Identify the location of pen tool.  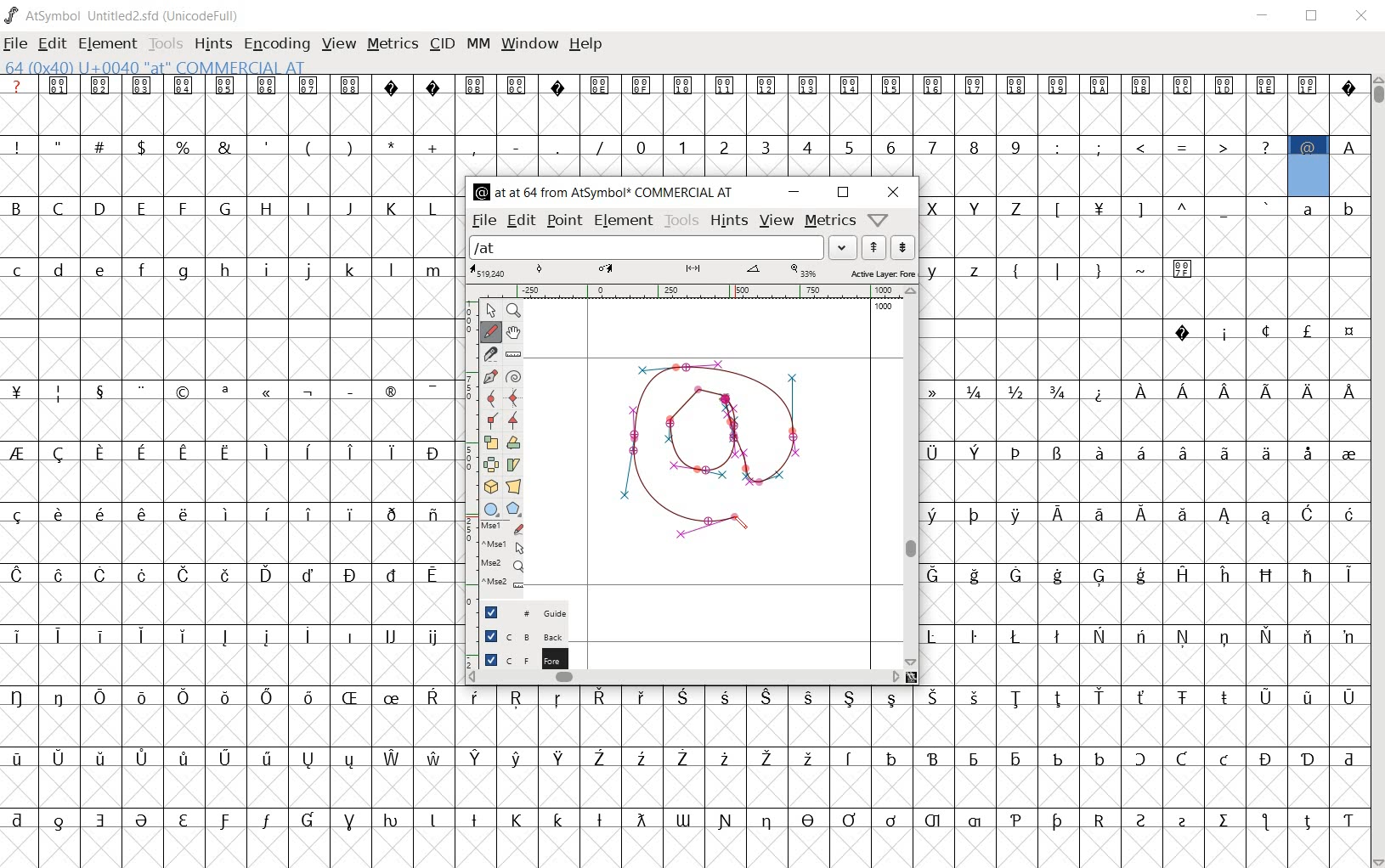
(743, 527).